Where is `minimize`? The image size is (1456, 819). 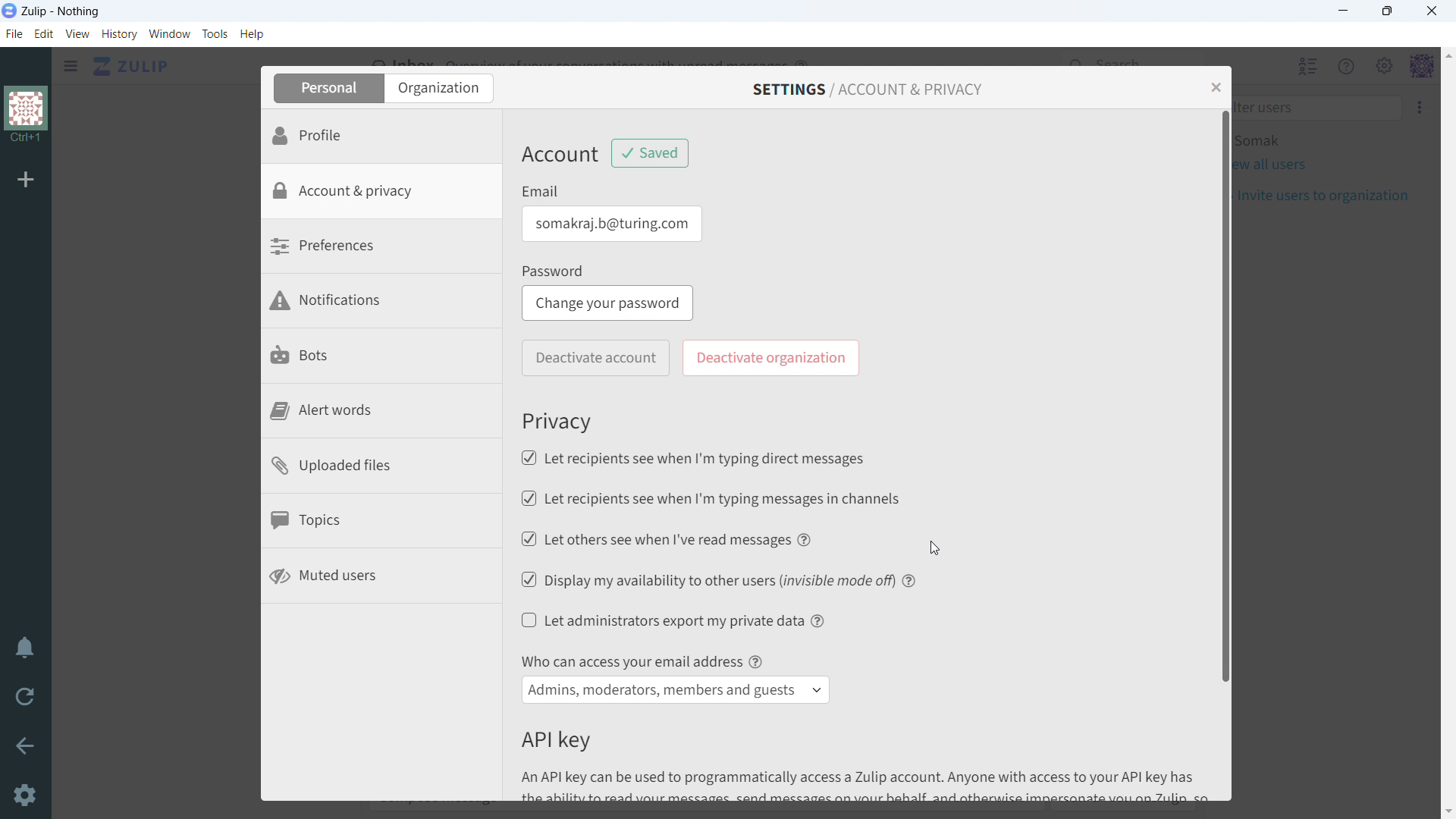 minimize is located at coordinates (1345, 11).